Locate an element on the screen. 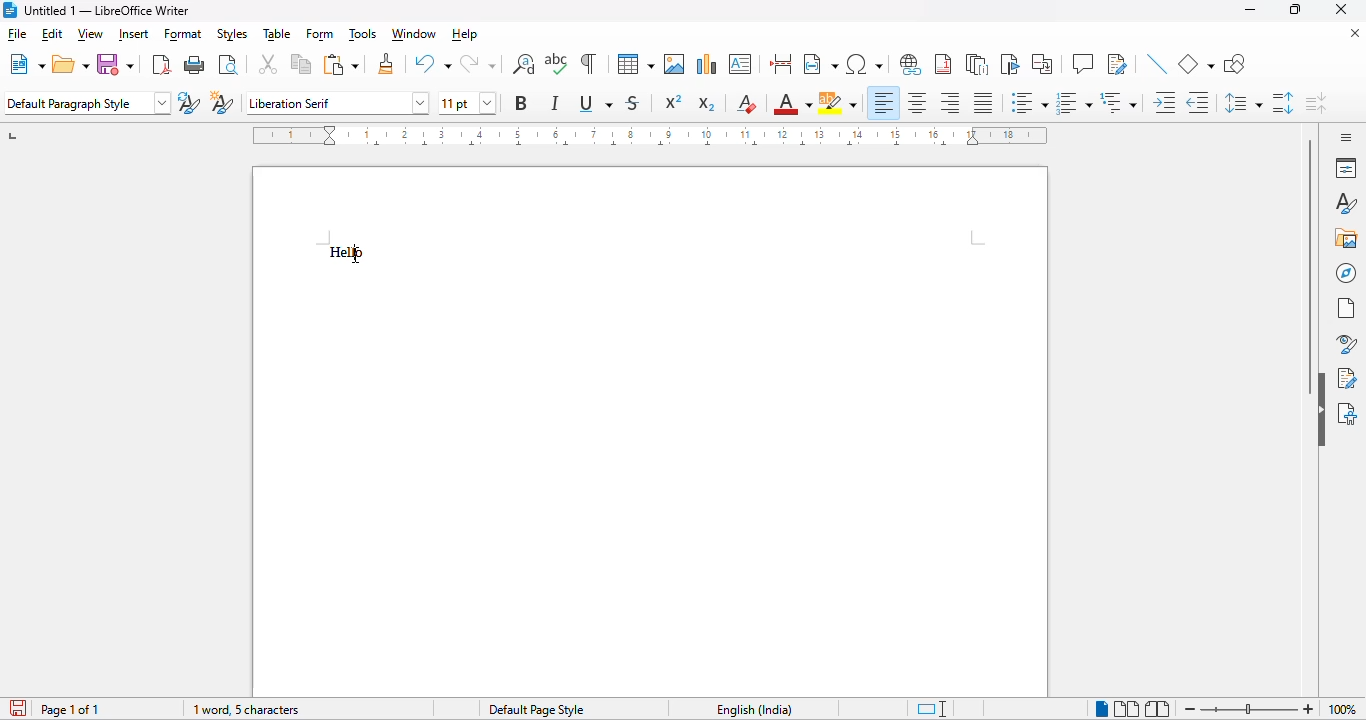  toggle ordered list is located at coordinates (1074, 102).